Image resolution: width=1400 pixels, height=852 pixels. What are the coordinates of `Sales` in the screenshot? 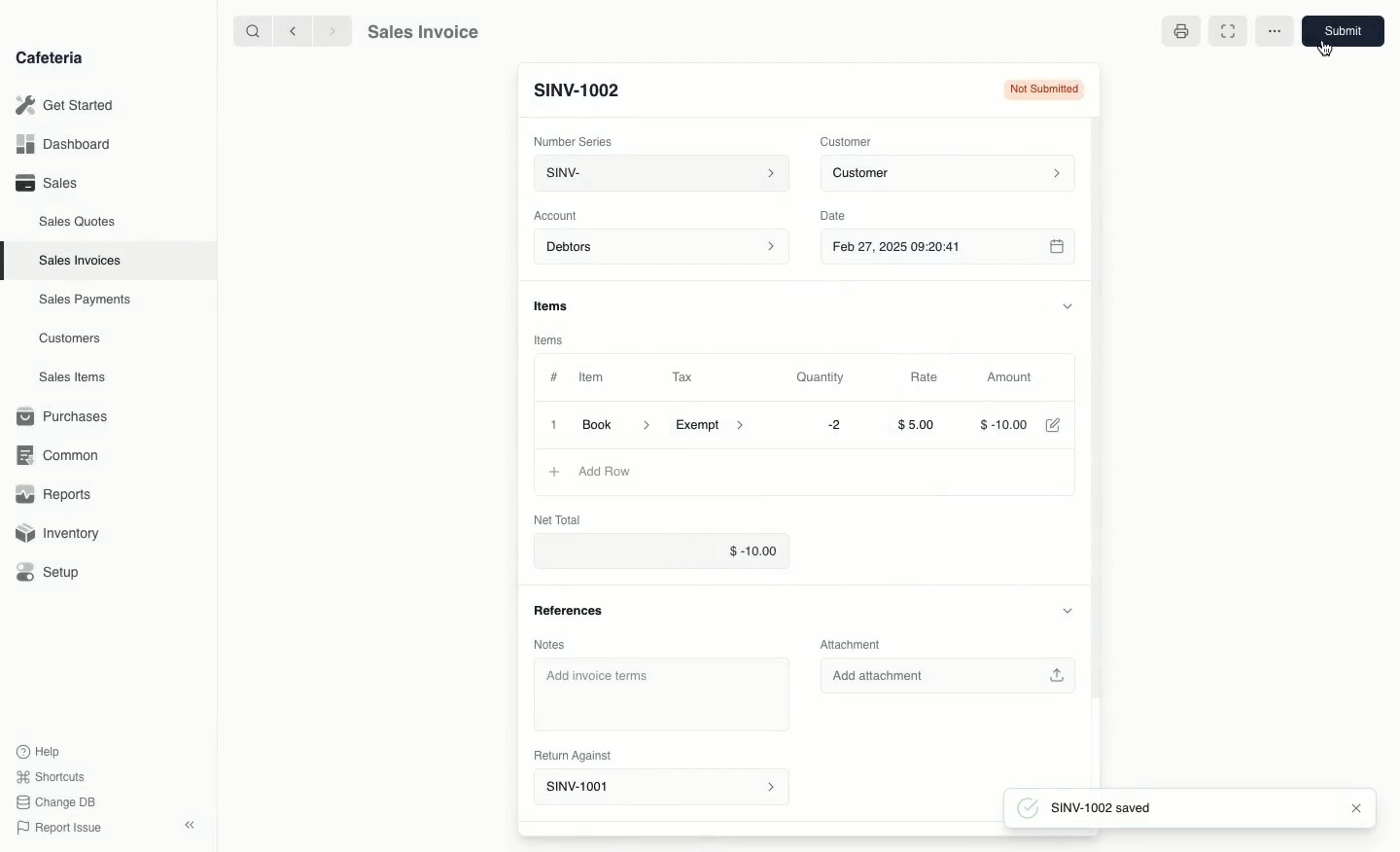 It's located at (50, 183).